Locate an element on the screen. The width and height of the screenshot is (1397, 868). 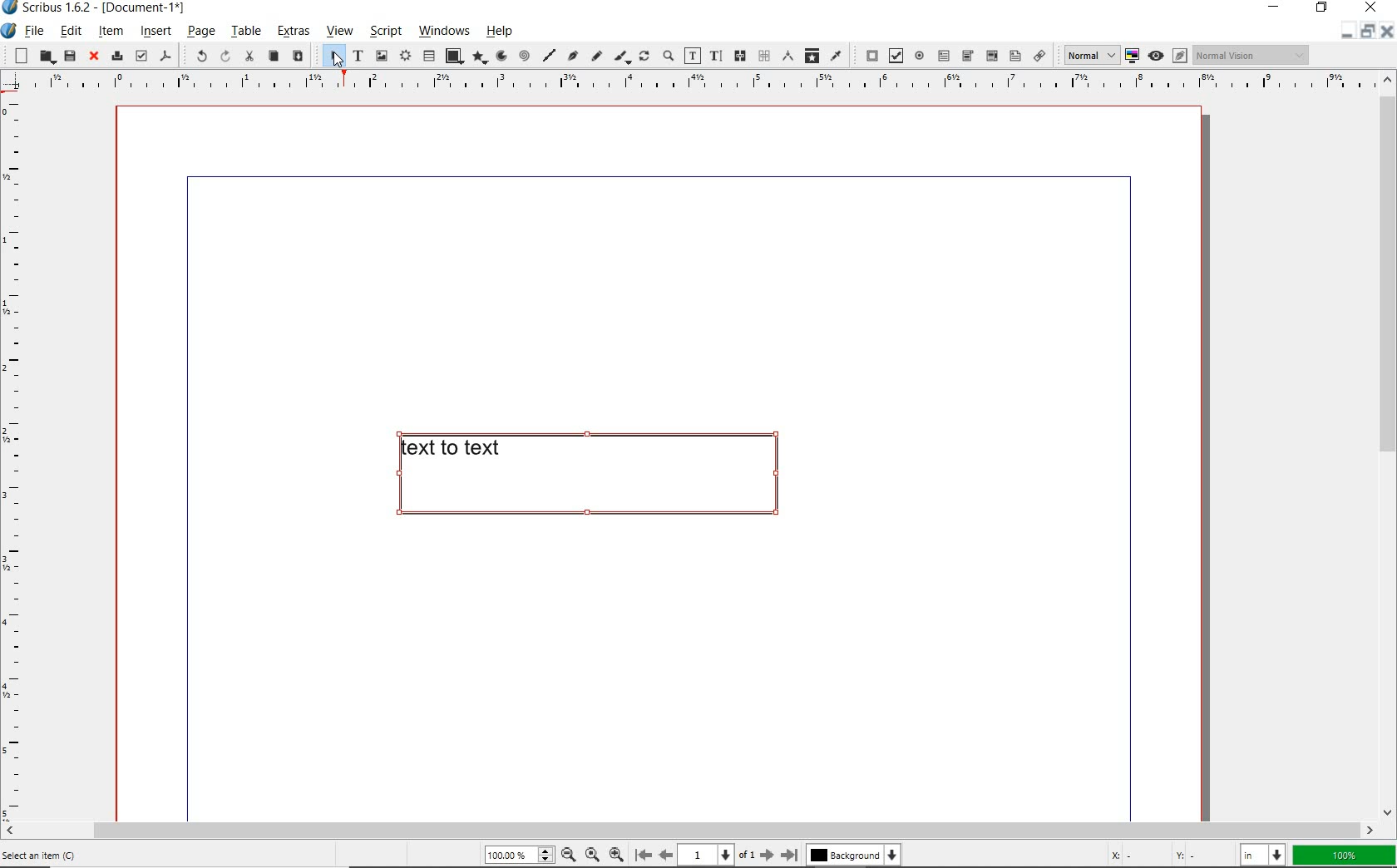
Edit in preview mode is located at coordinates (1179, 57).